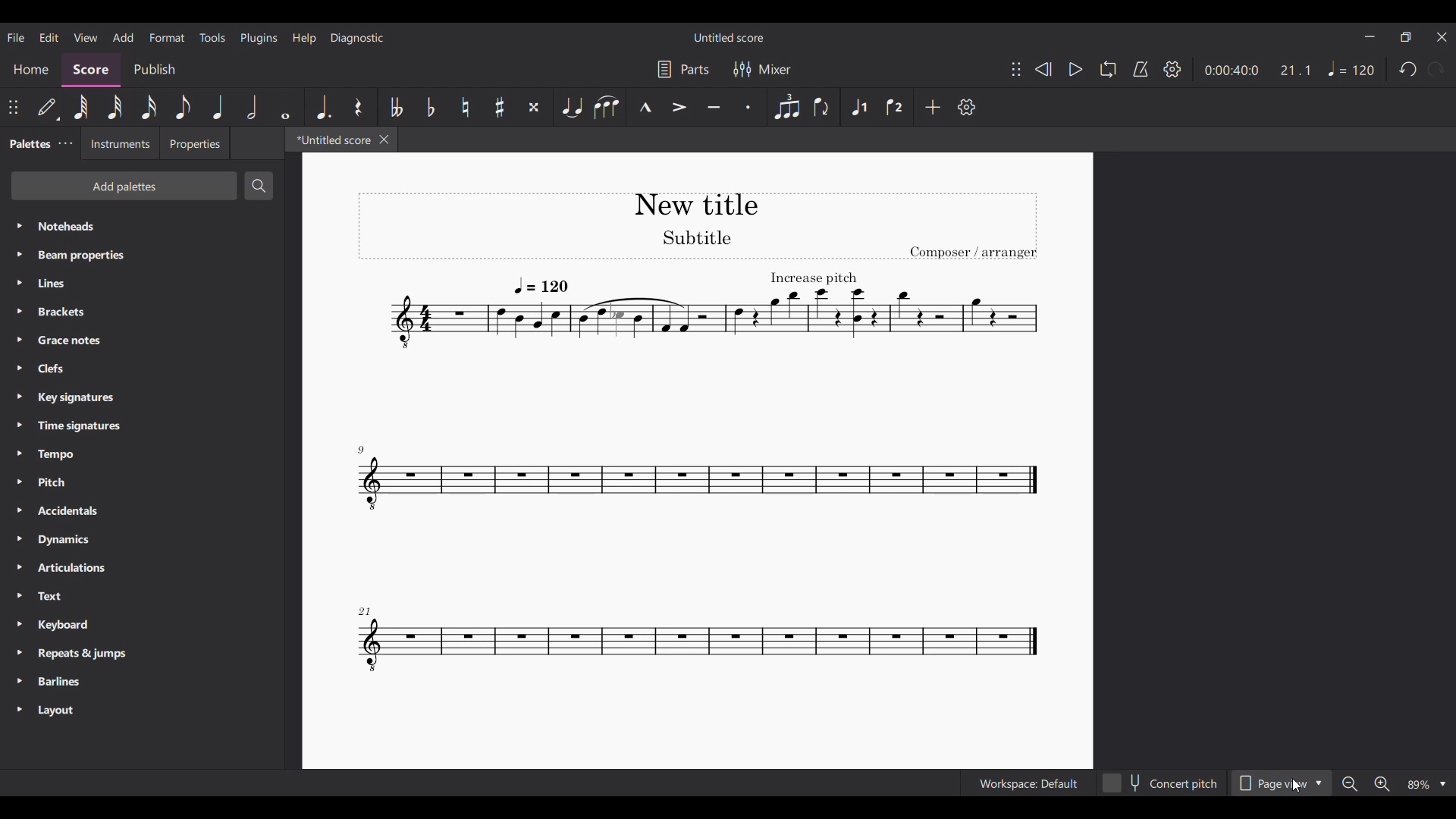  Describe the element at coordinates (123, 186) in the screenshot. I see `Add palettes` at that location.